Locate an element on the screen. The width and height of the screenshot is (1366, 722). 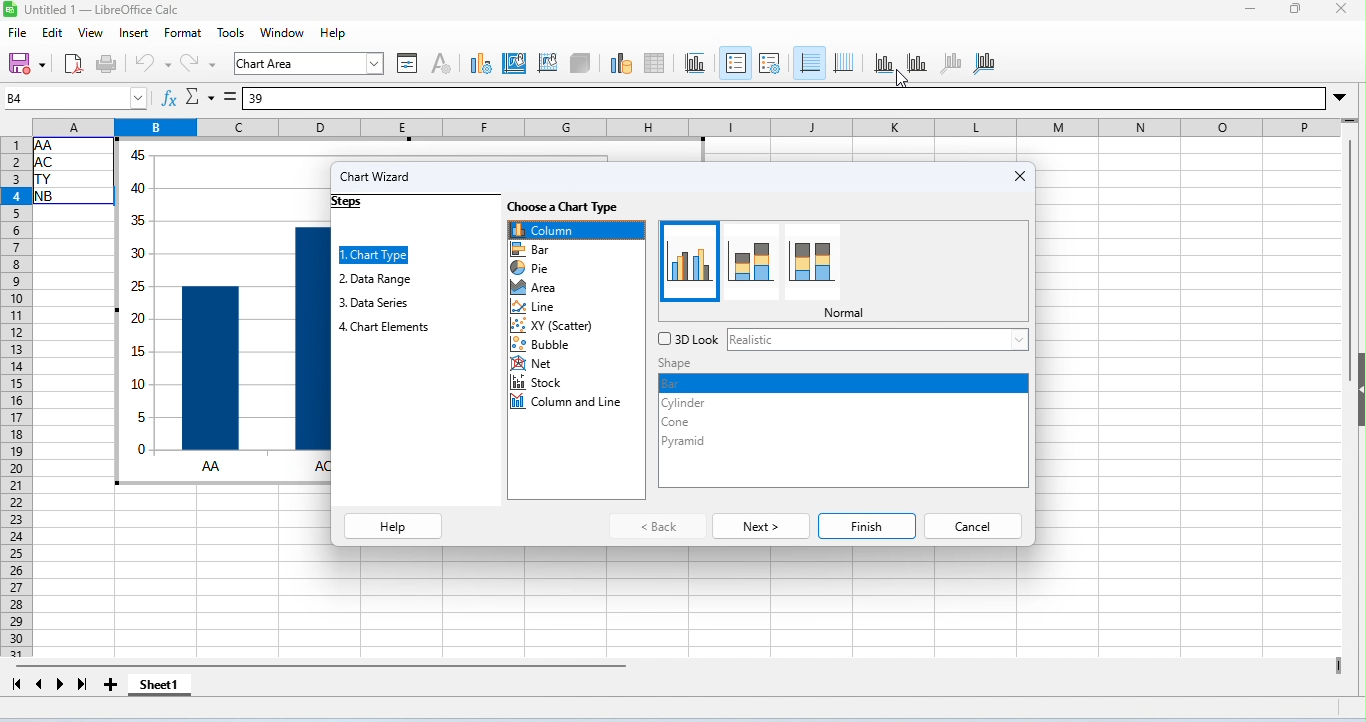
function wizard is located at coordinates (171, 98).